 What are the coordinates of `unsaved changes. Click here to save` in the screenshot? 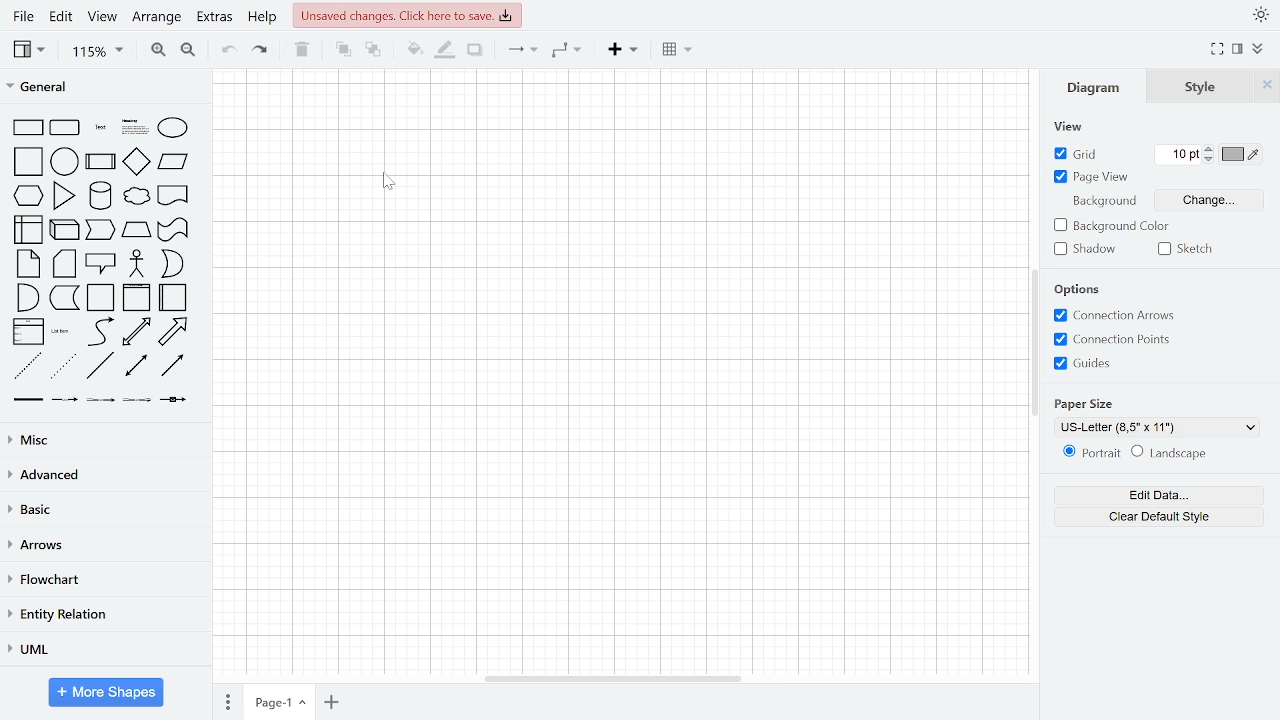 It's located at (405, 15).